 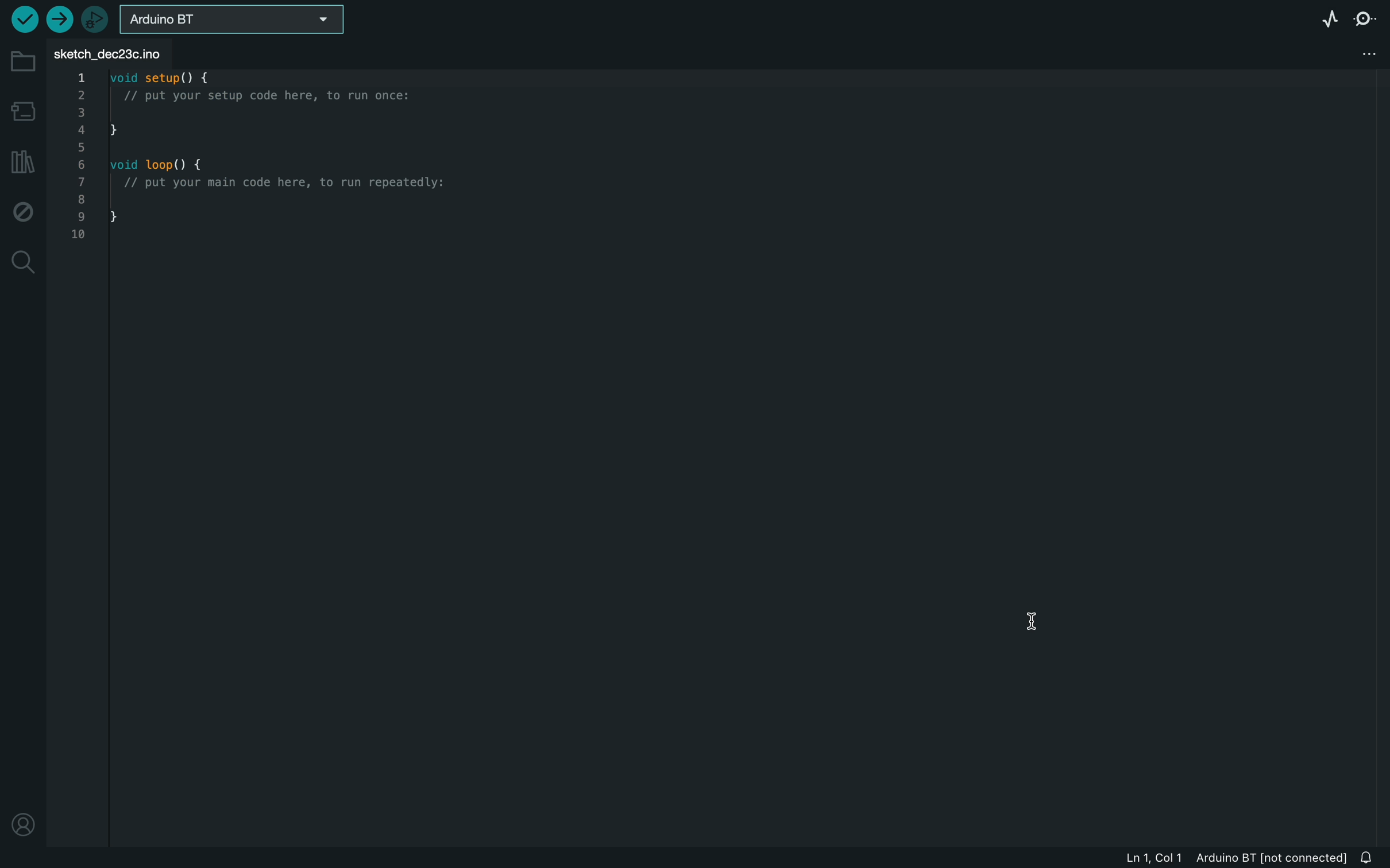 I want to click on FILE TAB, so click(x=115, y=56).